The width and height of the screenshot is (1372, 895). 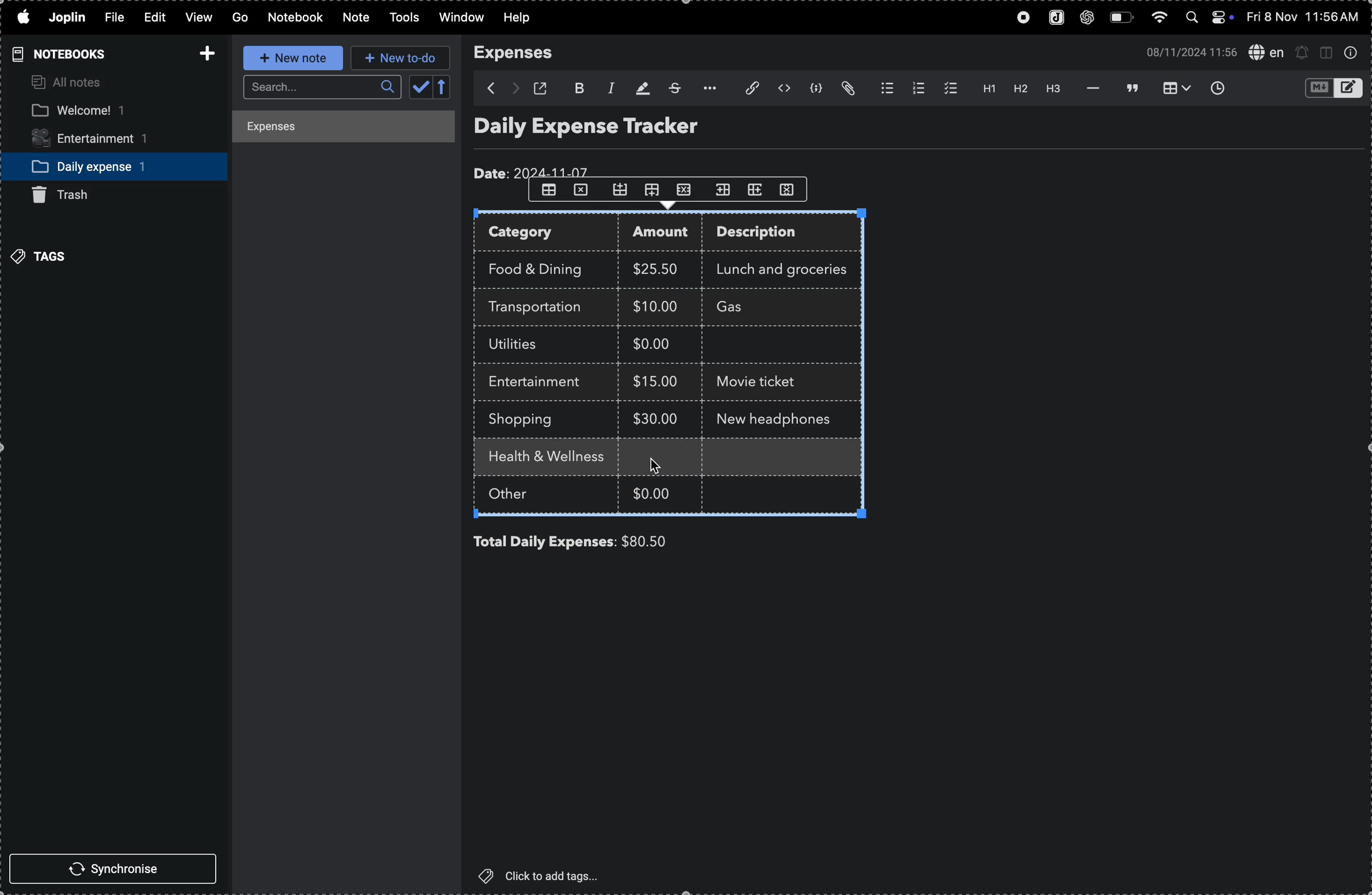 What do you see at coordinates (544, 88) in the screenshot?
I see `open window` at bounding box center [544, 88].